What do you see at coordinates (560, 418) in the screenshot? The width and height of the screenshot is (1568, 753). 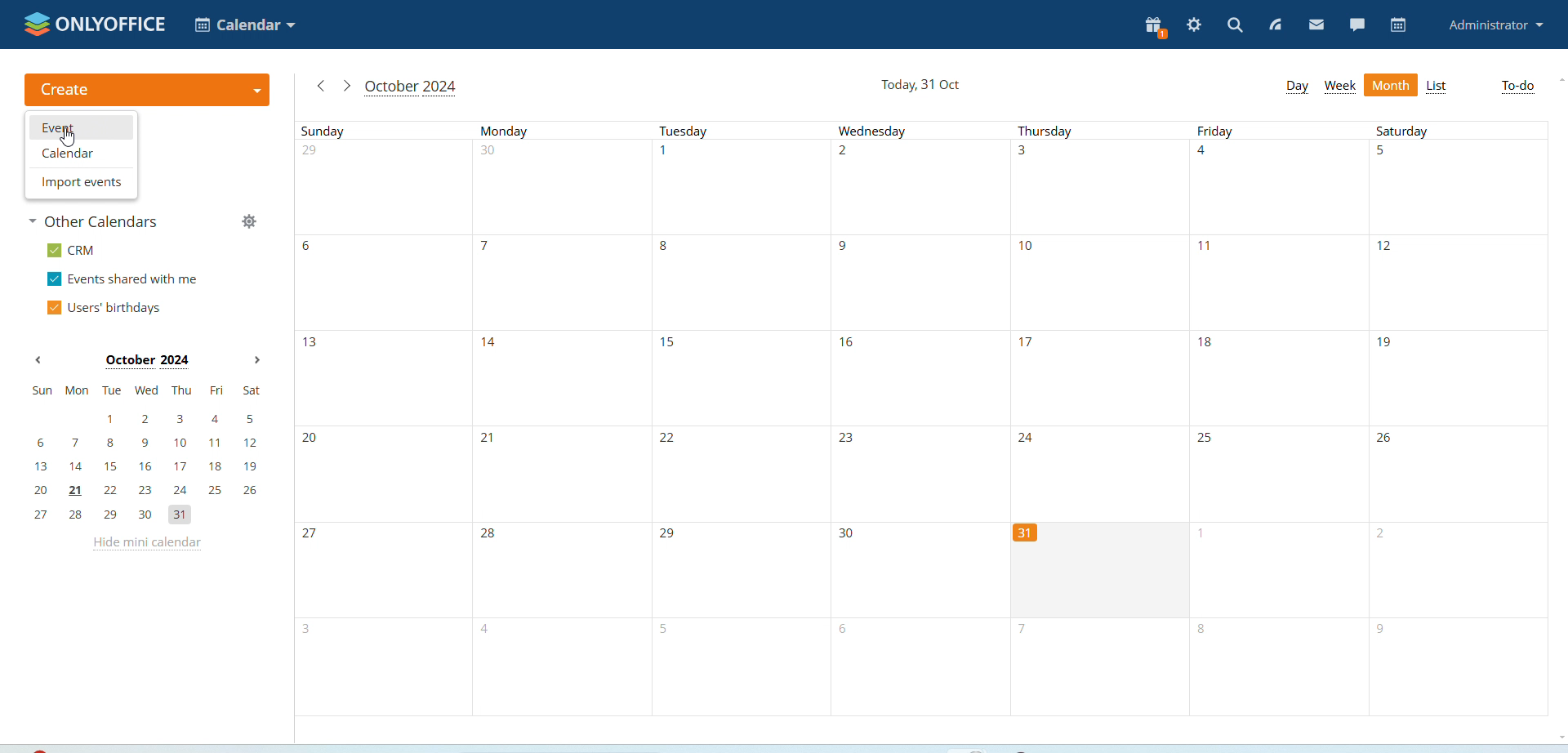 I see `Mondays` at bounding box center [560, 418].